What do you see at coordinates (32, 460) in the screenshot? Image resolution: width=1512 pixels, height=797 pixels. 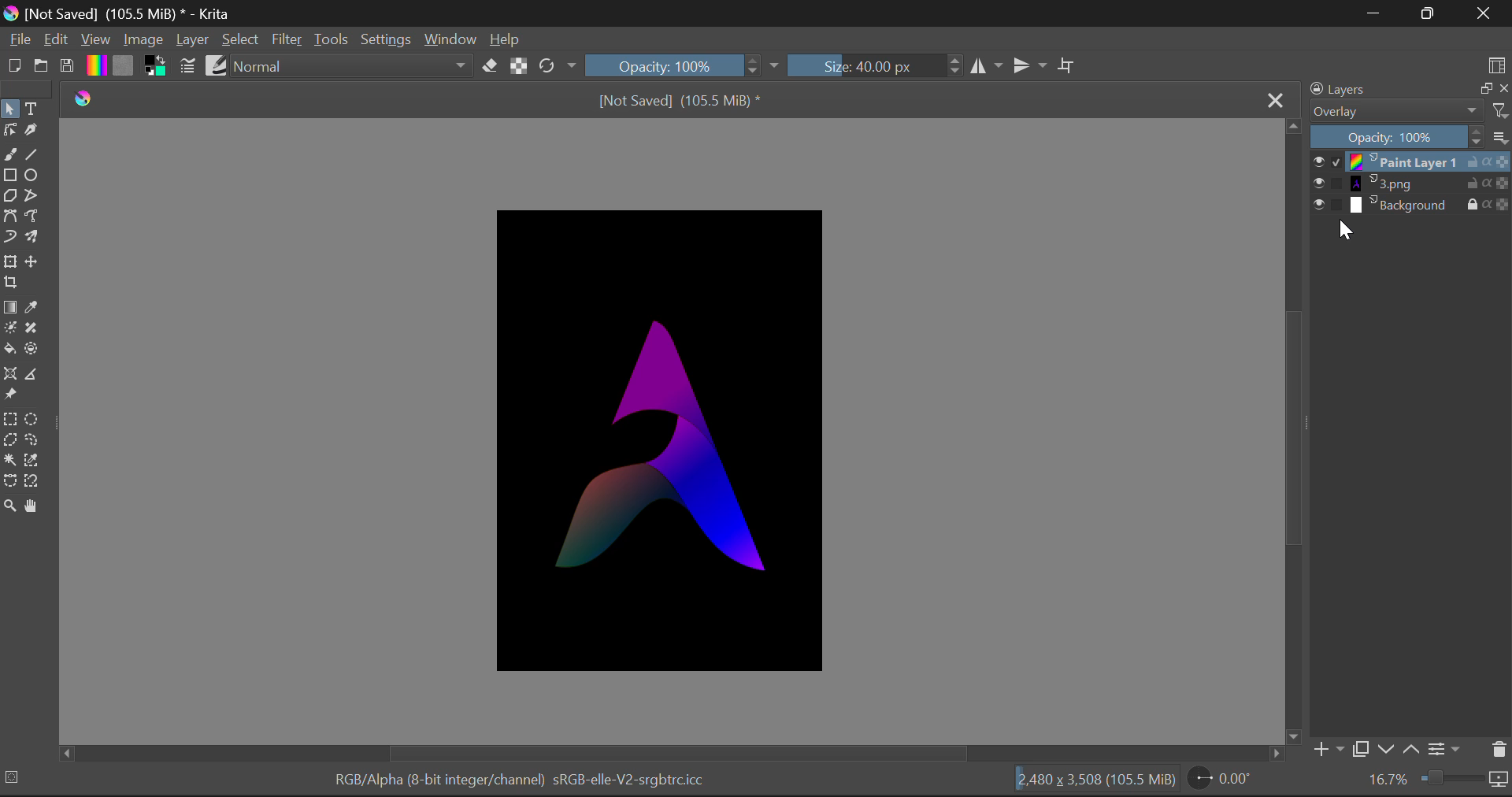 I see `Similar Color Selection` at bounding box center [32, 460].